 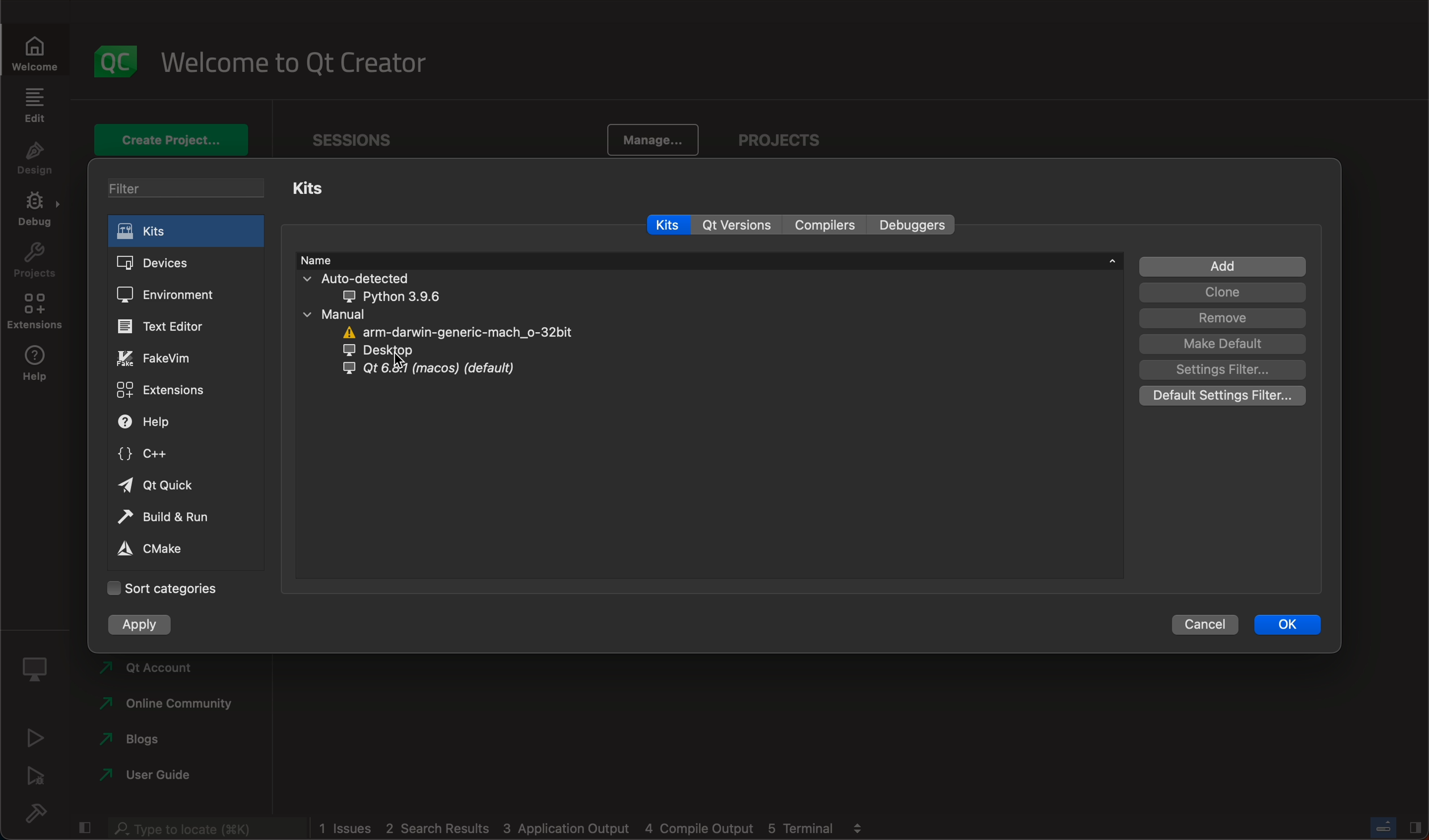 What do you see at coordinates (1414, 825) in the screenshot?
I see `Hide/Show right sidebar` at bounding box center [1414, 825].